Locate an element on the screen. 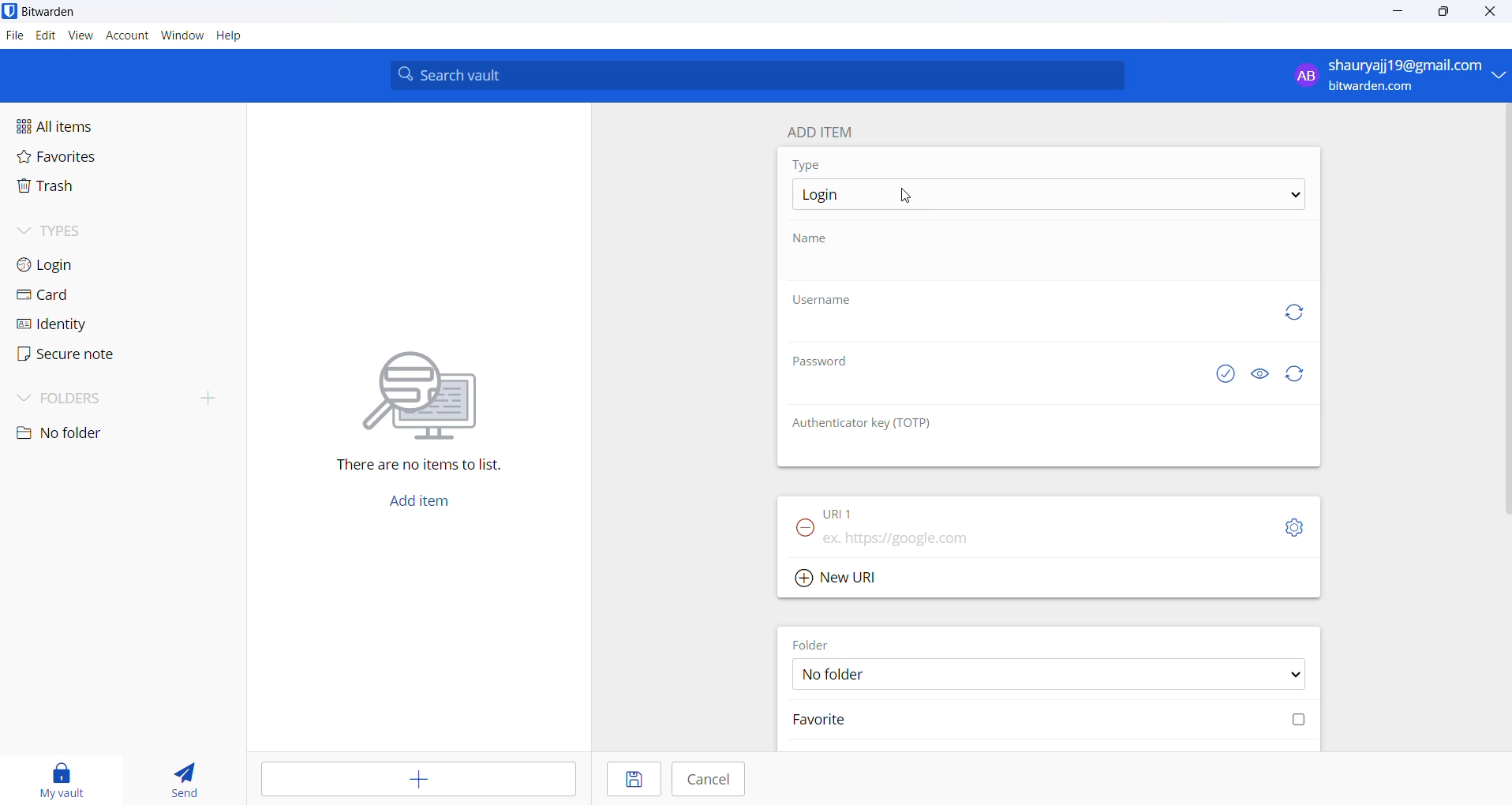 Image resolution: width=1512 pixels, height=805 pixels. name textbox is located at coordinates (1045, 270).